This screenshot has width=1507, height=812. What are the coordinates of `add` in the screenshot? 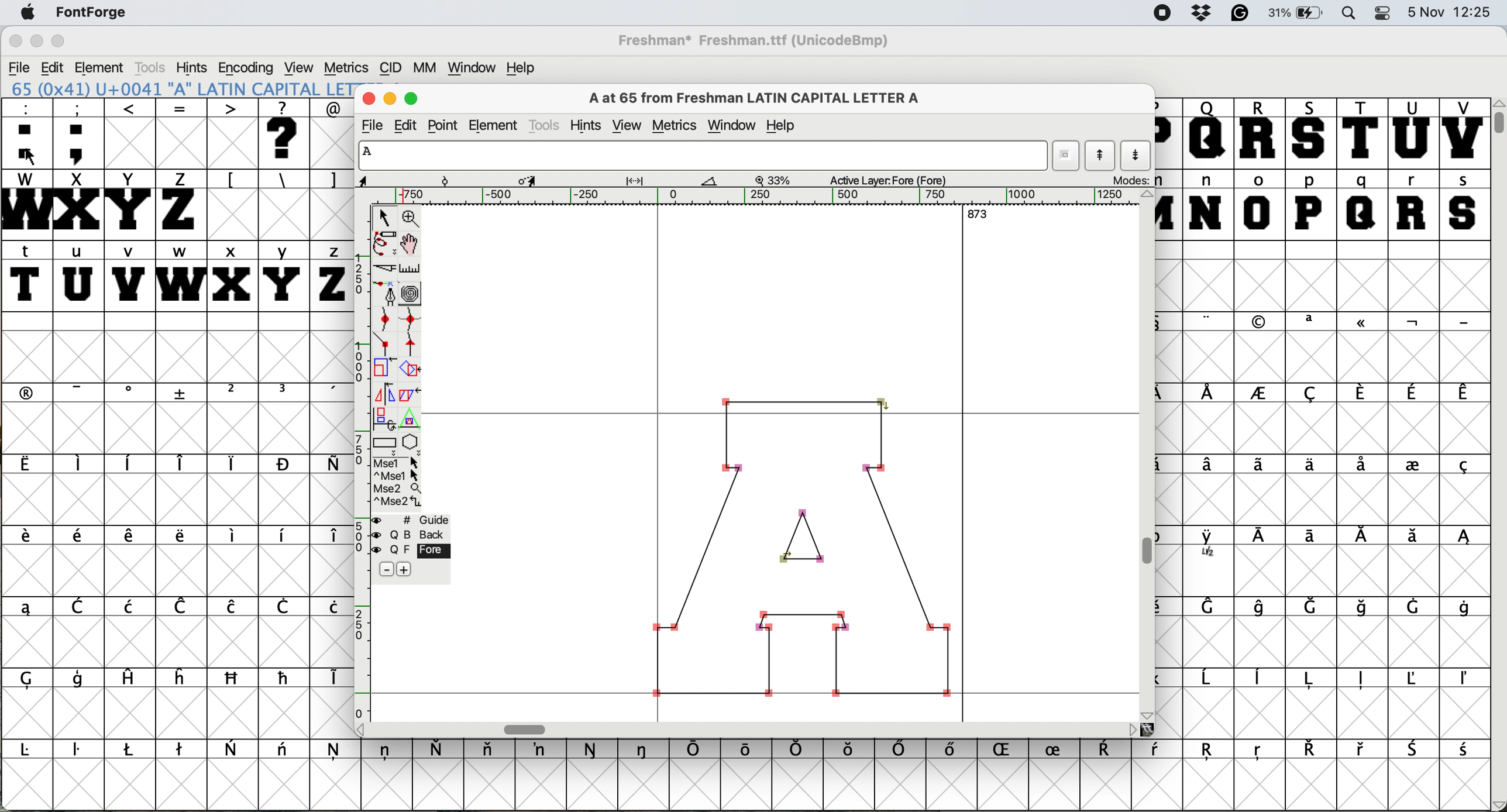 It's located at (405, 571).